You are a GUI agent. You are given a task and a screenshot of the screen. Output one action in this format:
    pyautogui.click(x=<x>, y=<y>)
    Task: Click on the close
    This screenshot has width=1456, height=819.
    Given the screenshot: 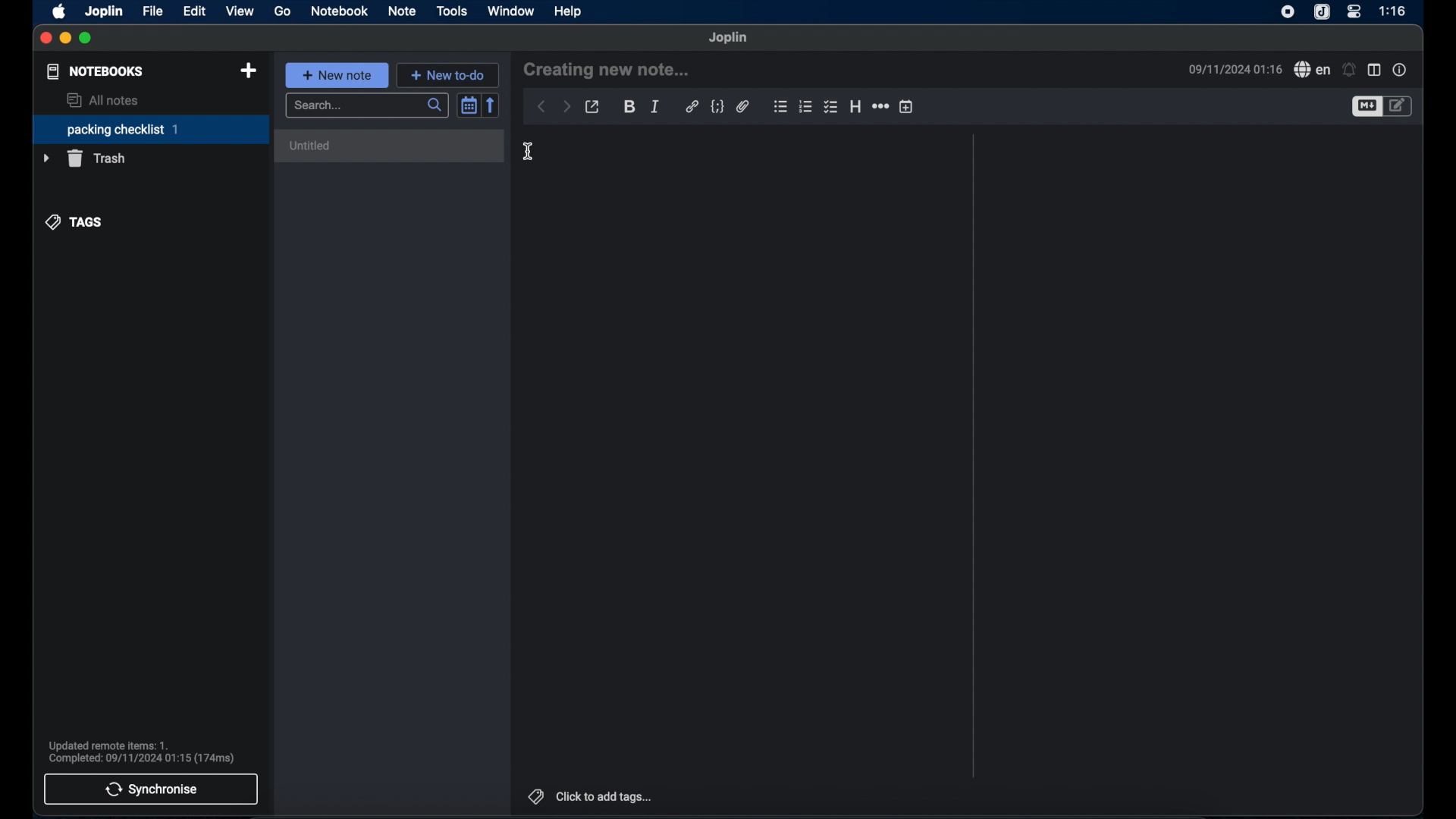 What is the action you would take?
    pyautogui.click(x=45, y=38)
    